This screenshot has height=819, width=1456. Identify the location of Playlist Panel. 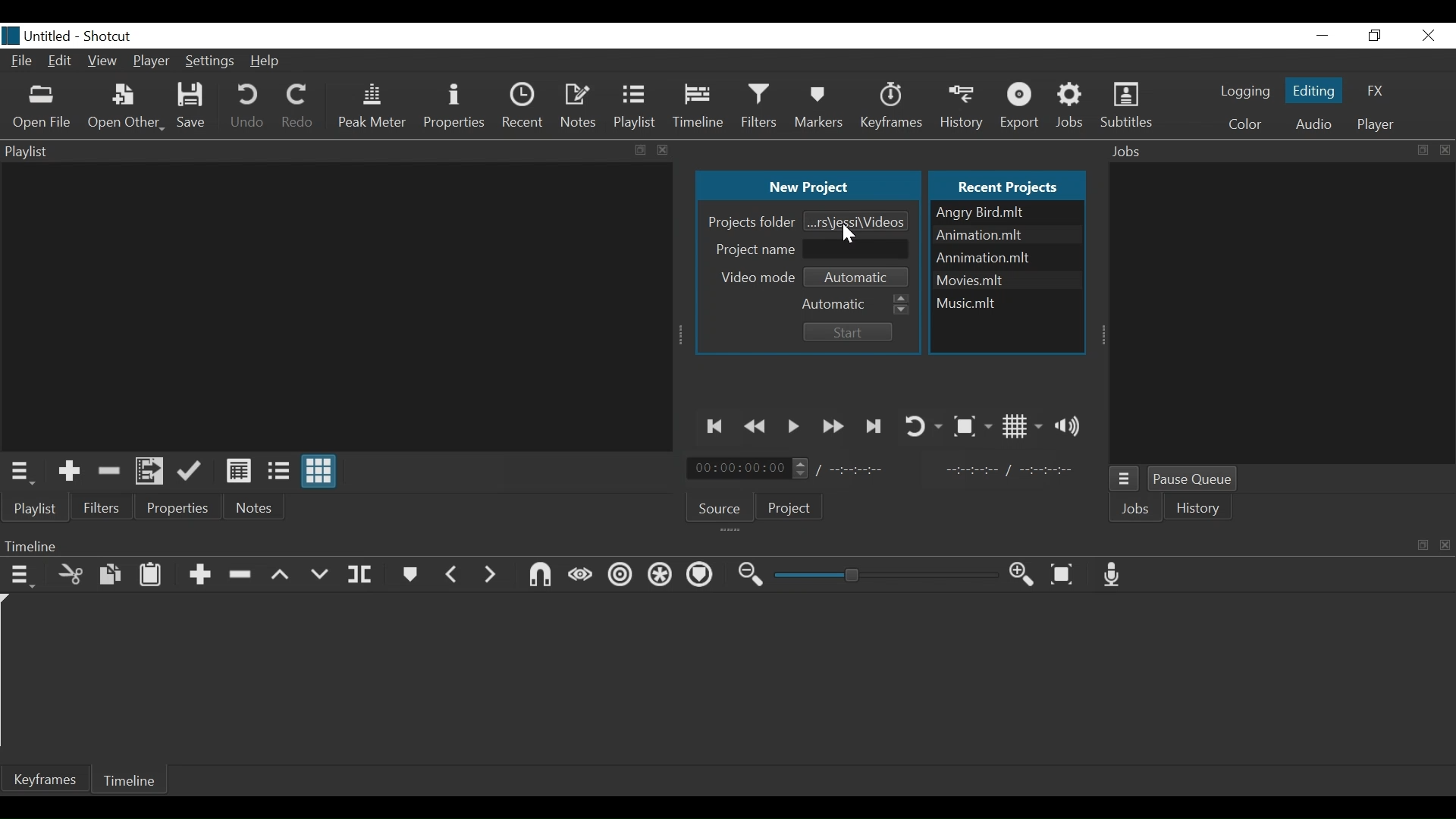
(337, 150).